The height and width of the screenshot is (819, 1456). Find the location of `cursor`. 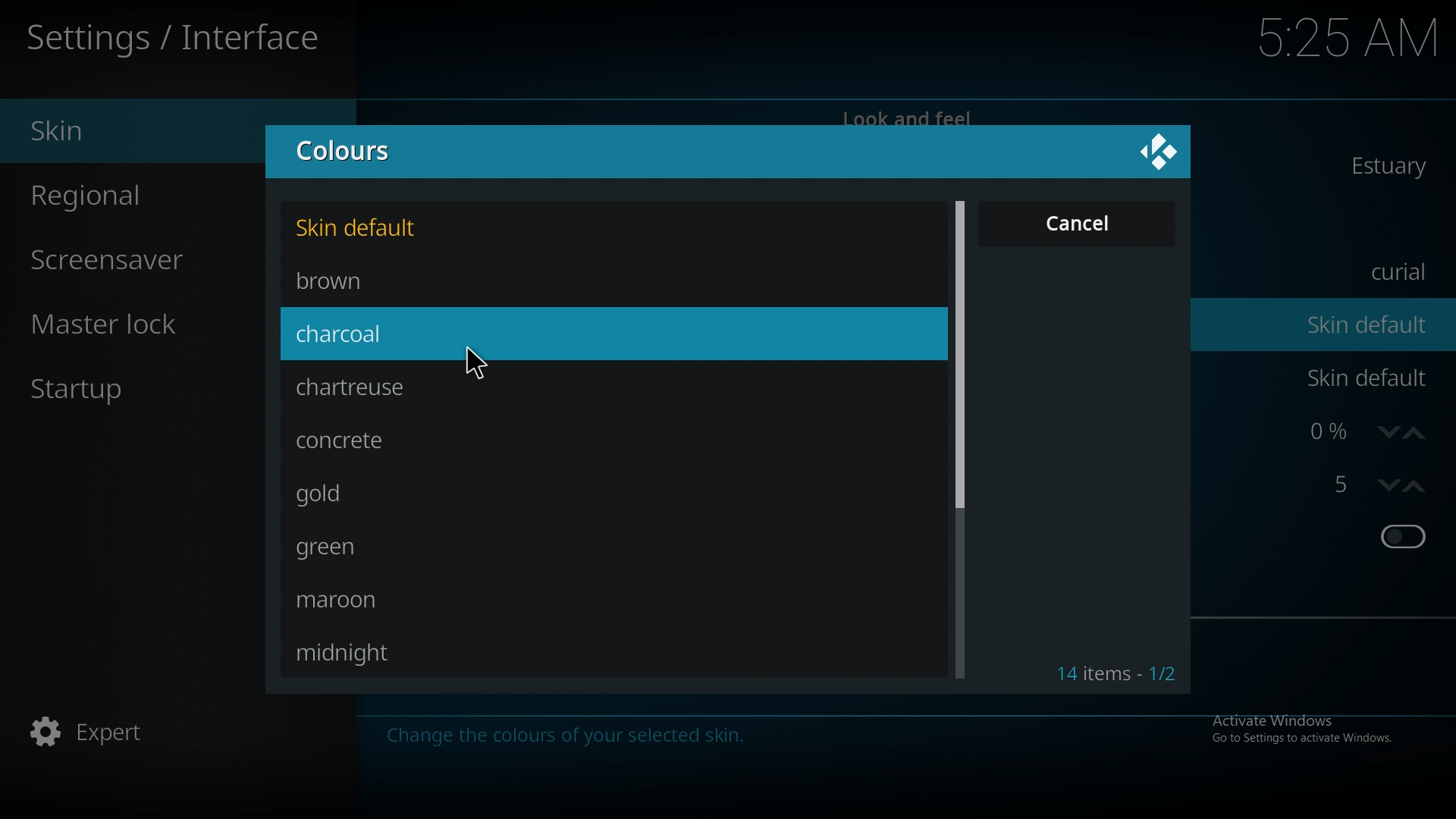

cursor is located at coordinates (481, 367).